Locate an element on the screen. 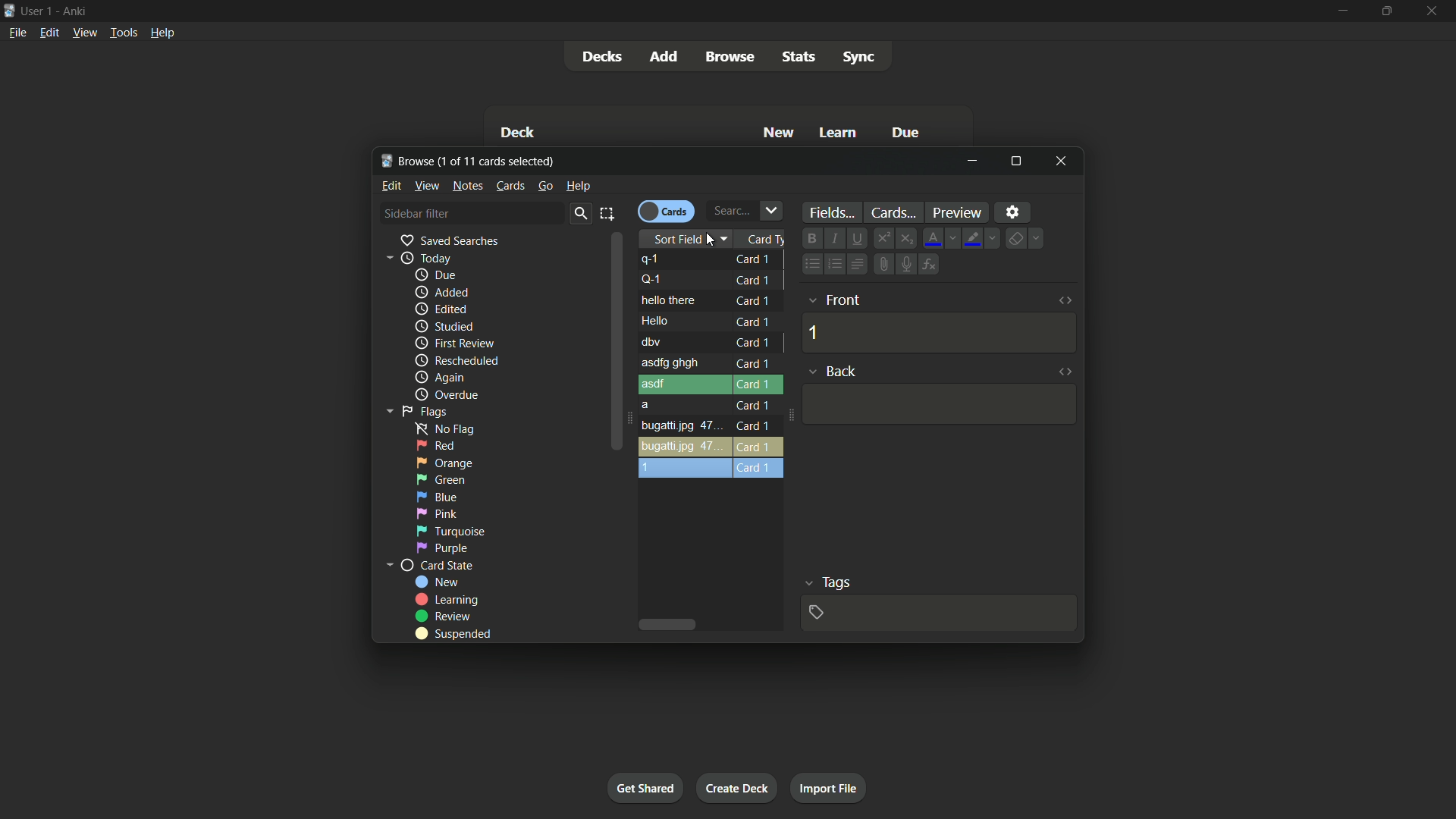 The image size is (1456, 819). saved searches is located at coordinates (449, 240).